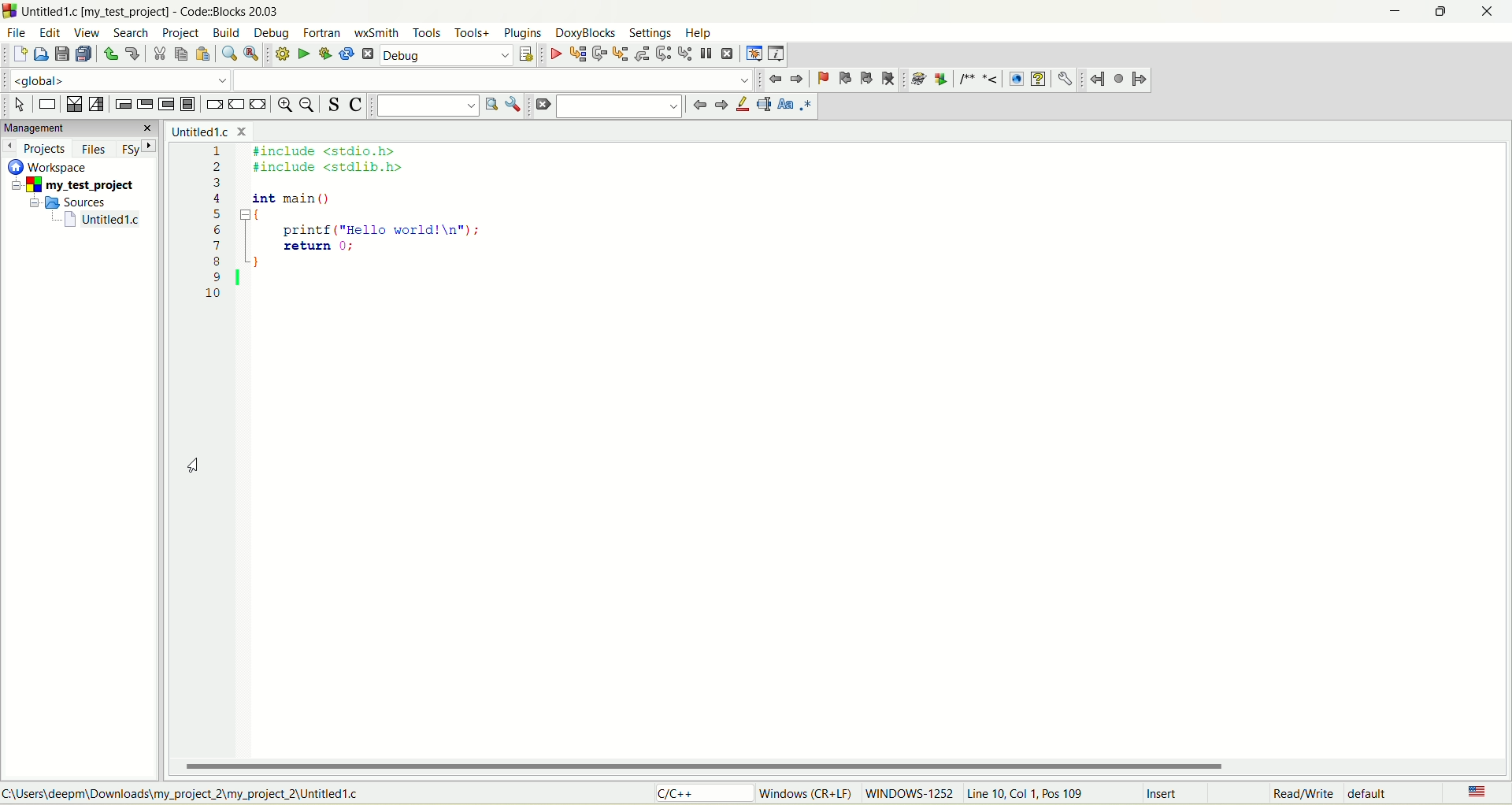 The image size is (1512, 805). What do you see at coordinates (598, 54) in the screenshot?
I see `next line` at bounding box center [598, 54].